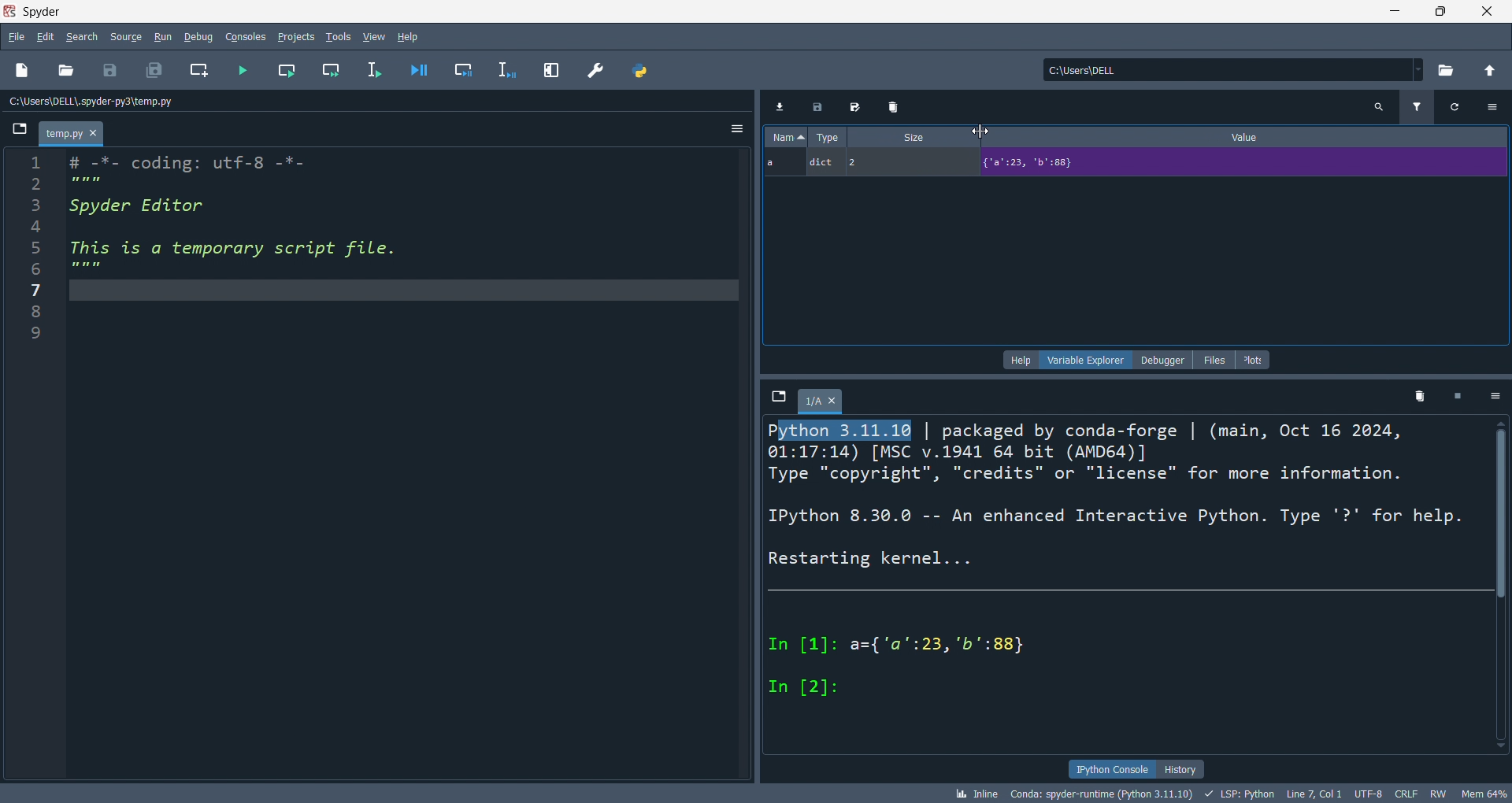  Describe the element at coordinates (423, 70) in the screenshot. I see `debug file` at that location.